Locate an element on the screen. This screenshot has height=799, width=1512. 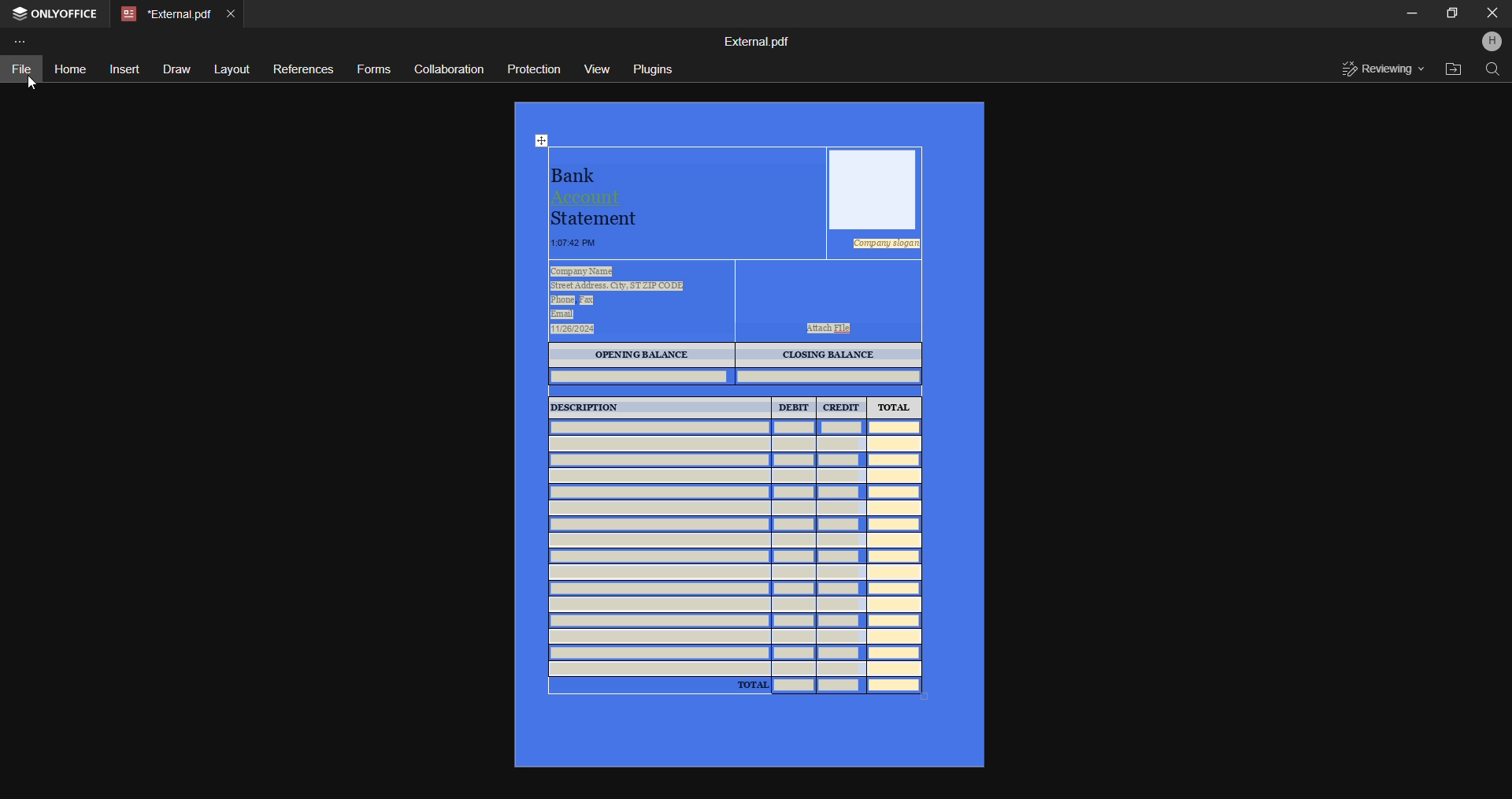
External.pdf(File name) is located at coordinates (758, 40).